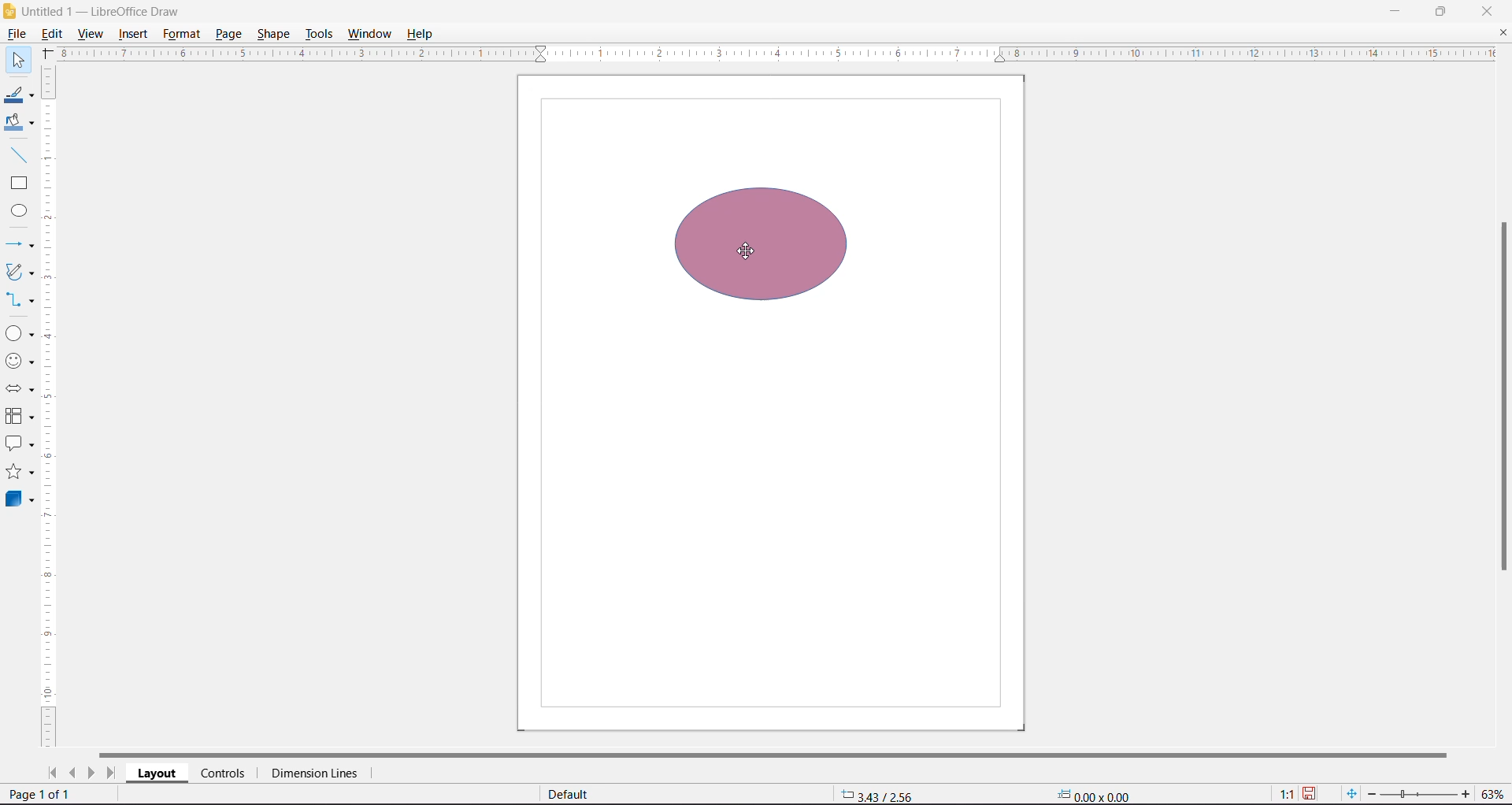 The width and height of the screenshot is (1512, 805). What do you see at coordinates (20, 389) in the screenshot?
I see `Block Arrows` at bounding box center [20, 389].